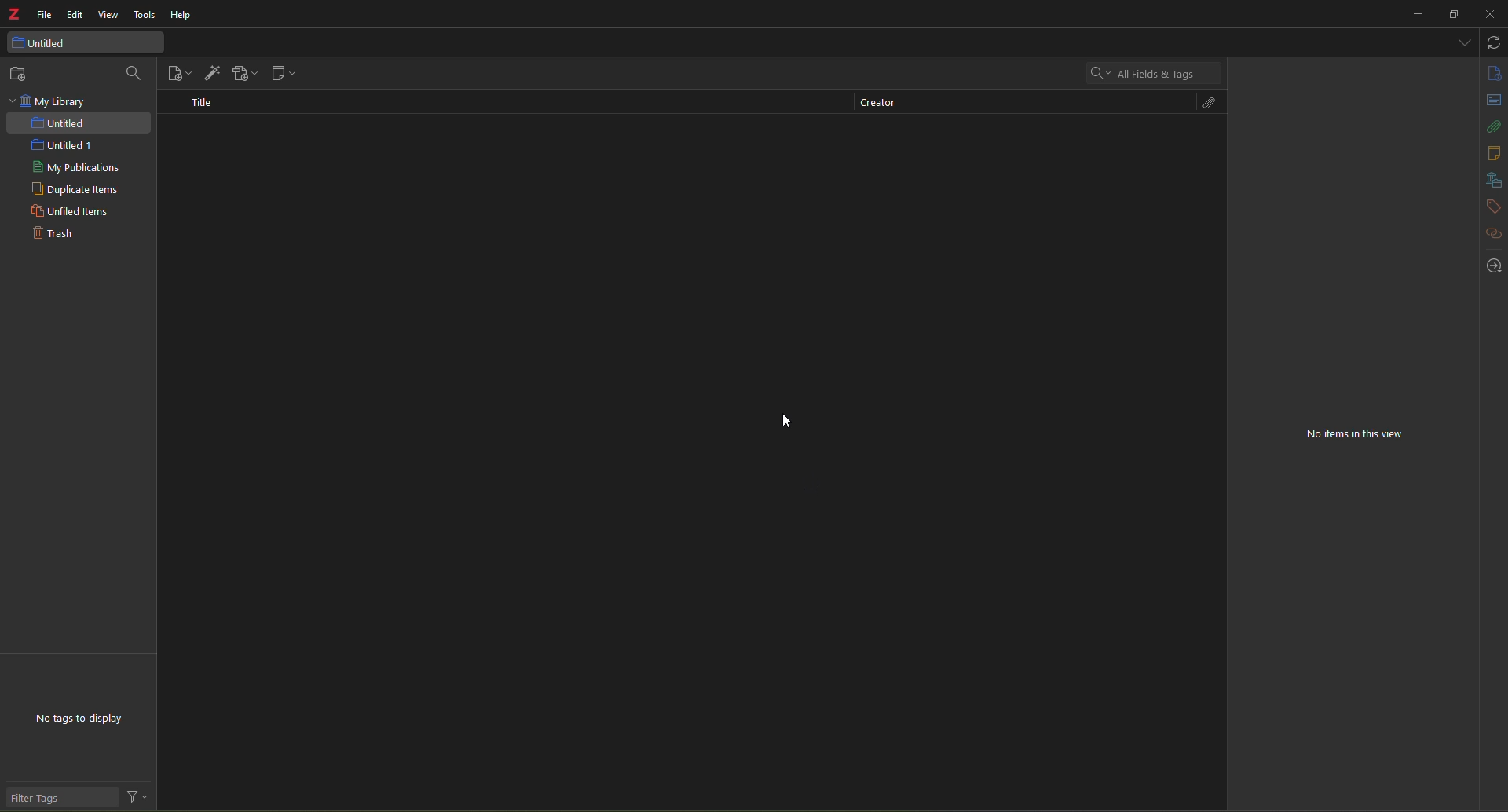 The width and height of the screenshot is (1508, 812). Describe the element at coordinates (1495, 100) in the screenshot. I see `abstract` at that location.